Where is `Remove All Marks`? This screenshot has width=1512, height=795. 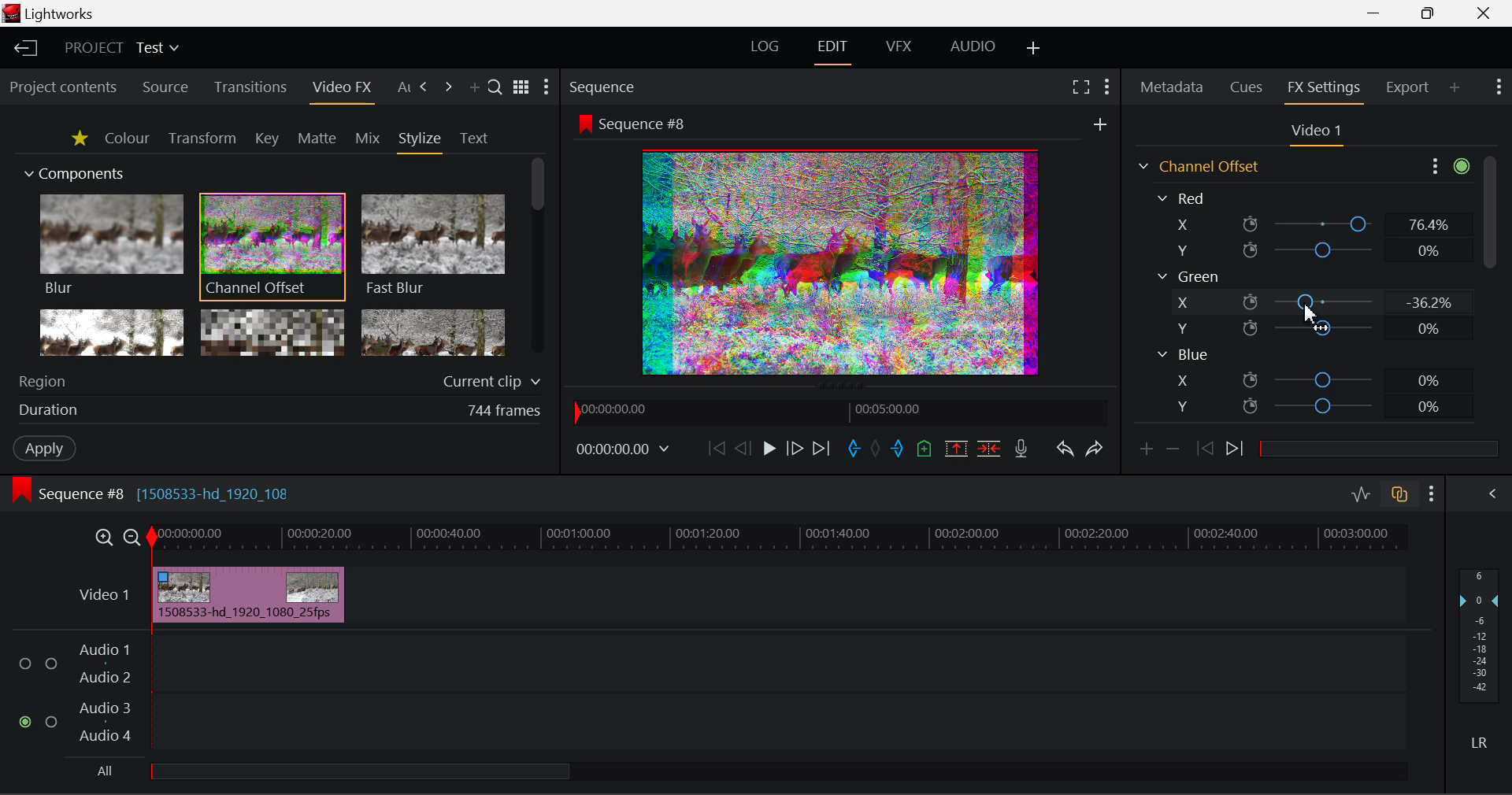
Remove All Marks is located at coordinates (875, 449).